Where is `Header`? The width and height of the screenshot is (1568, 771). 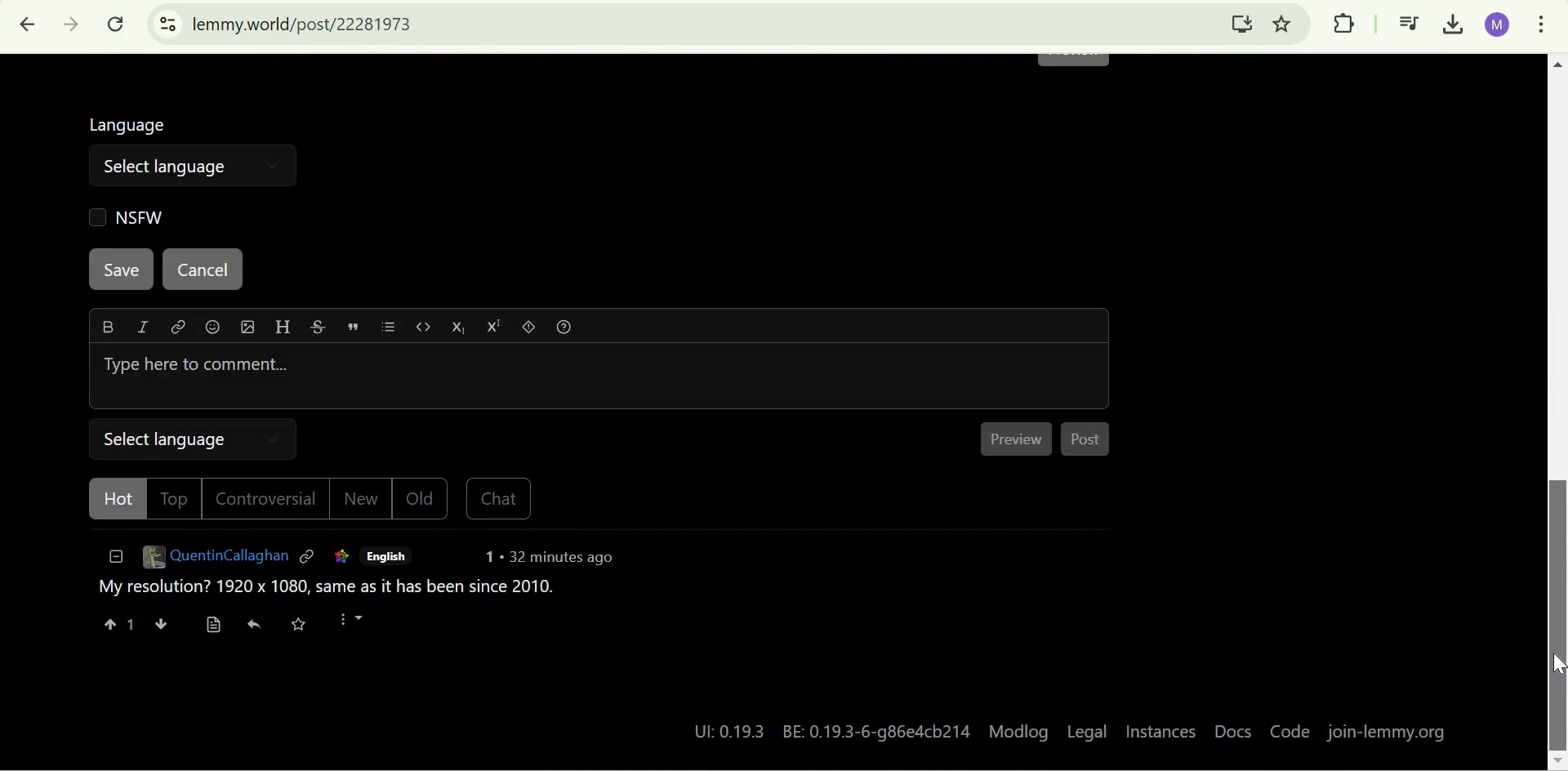
Header is located at coordinates (281, 328).